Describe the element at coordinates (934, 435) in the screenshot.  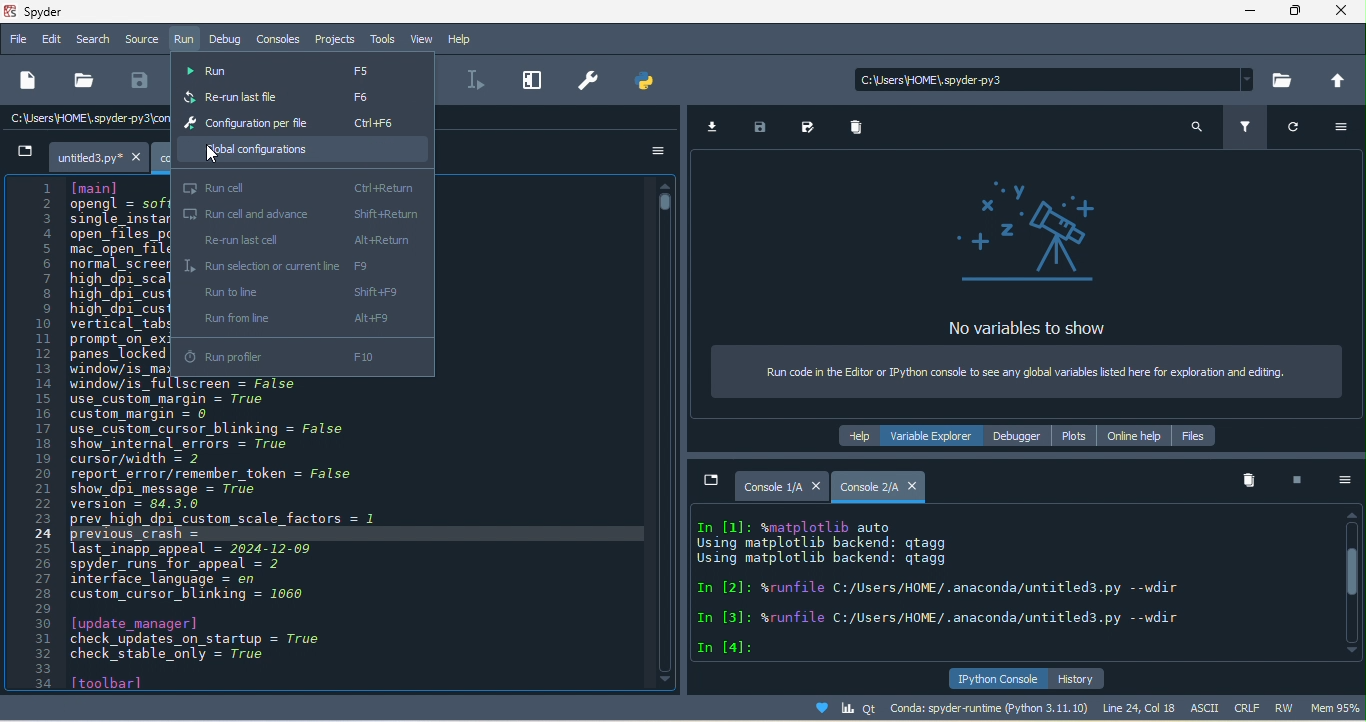
I see `variable explorer` at that location.